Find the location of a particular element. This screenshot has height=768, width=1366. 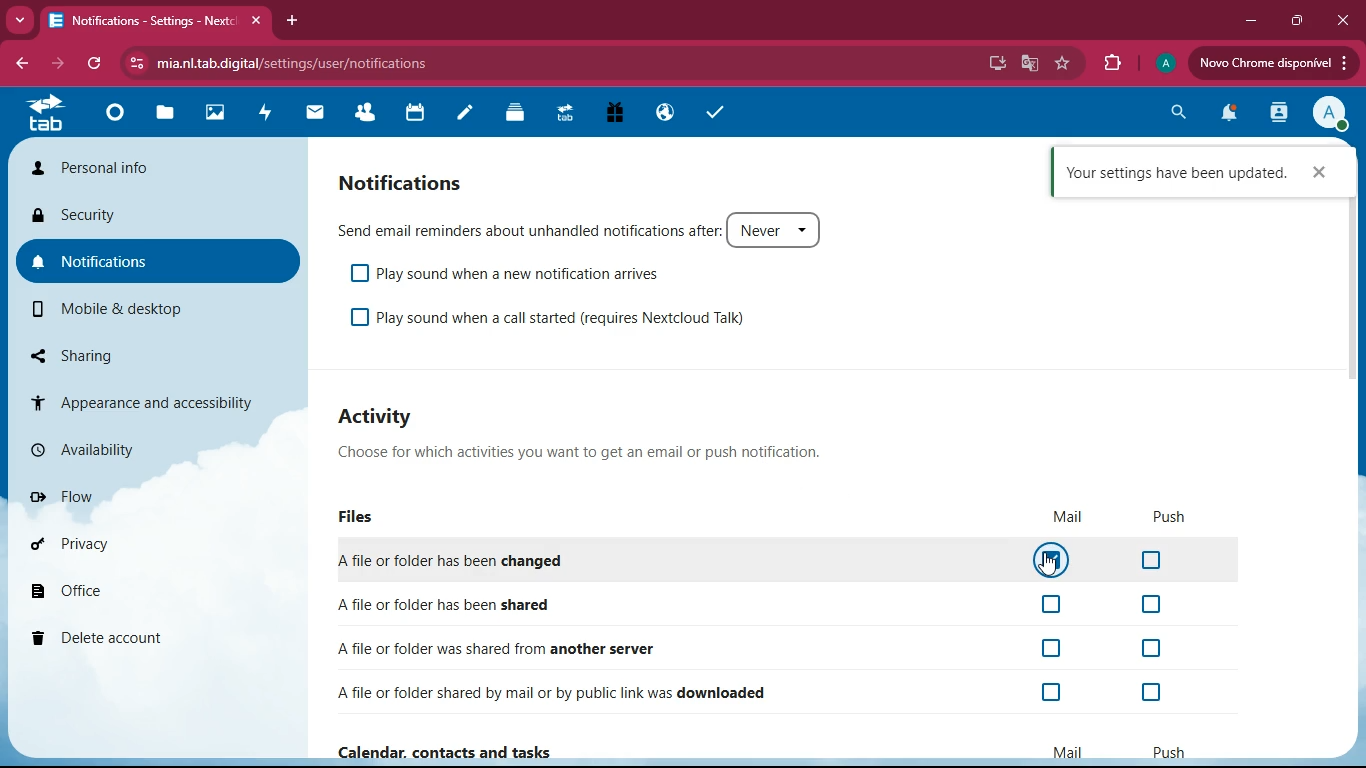

forward is located at coordinates (55, 64).